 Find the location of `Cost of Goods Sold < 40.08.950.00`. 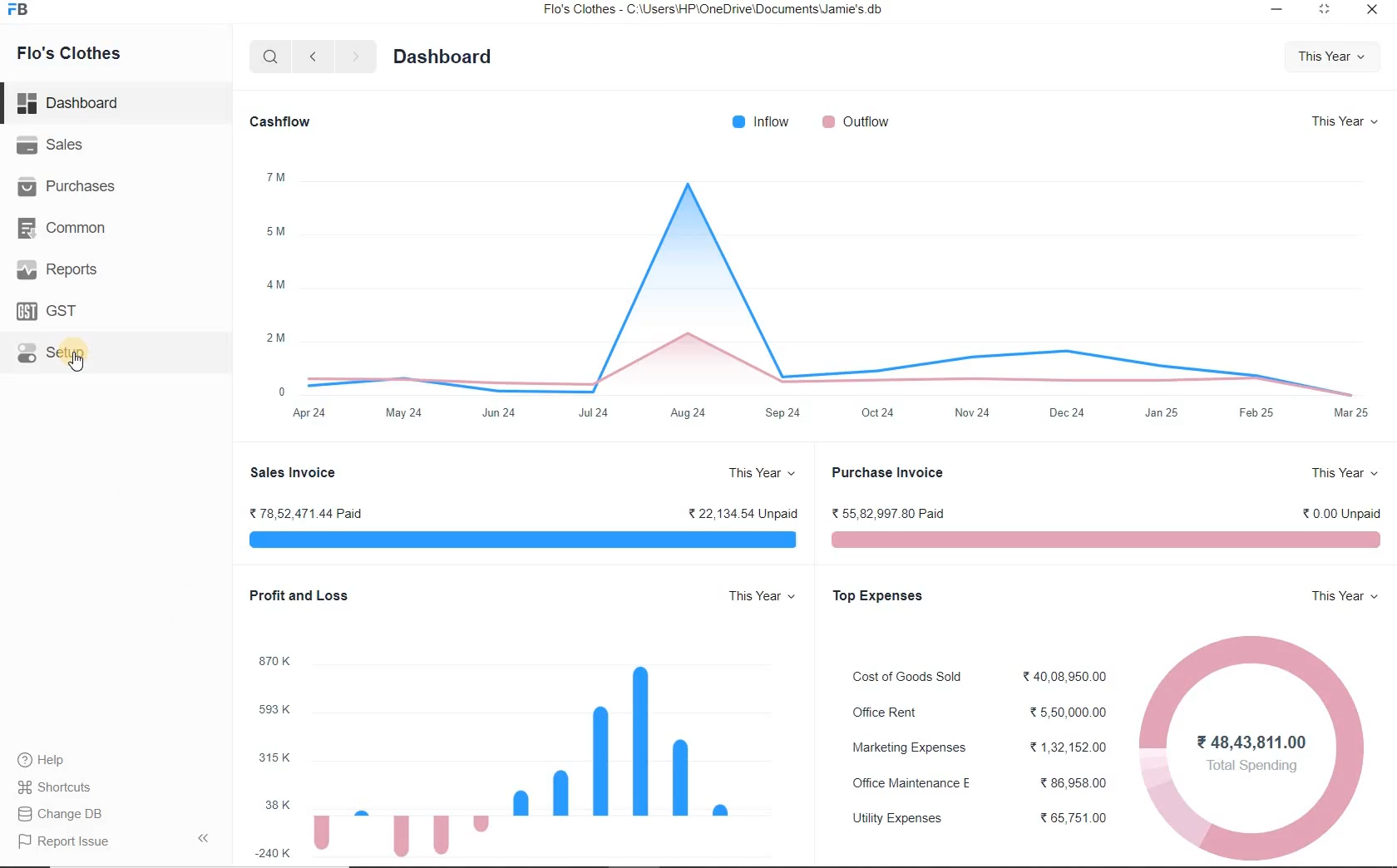

Cost of Goods Sold < 40.08.950.00 is located at coordinates (979, 676).